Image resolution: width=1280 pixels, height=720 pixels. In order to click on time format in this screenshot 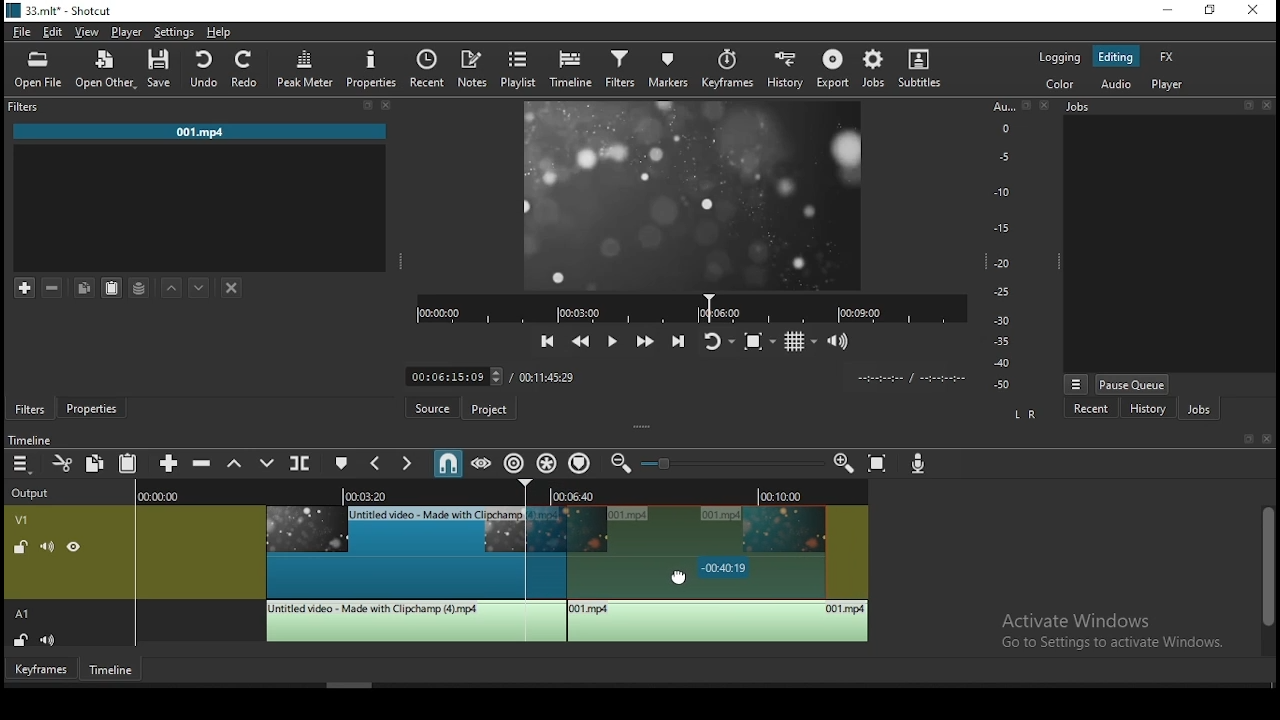, I will do `click(907, 378)`.